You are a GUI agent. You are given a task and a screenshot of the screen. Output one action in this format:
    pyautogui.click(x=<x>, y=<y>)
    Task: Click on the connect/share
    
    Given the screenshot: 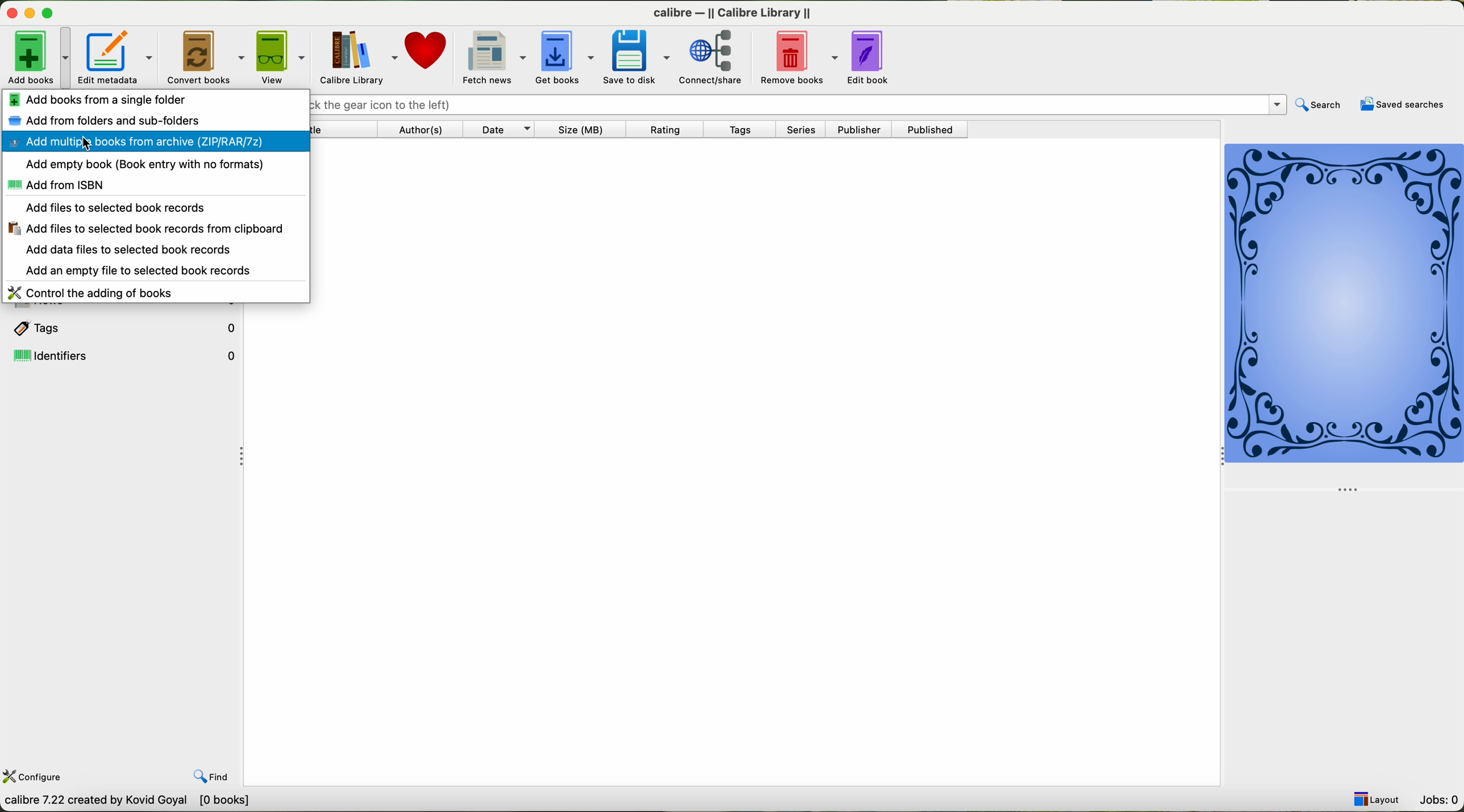 What is the action you would take?
    pyautogui.click(x=716, y=58)
    